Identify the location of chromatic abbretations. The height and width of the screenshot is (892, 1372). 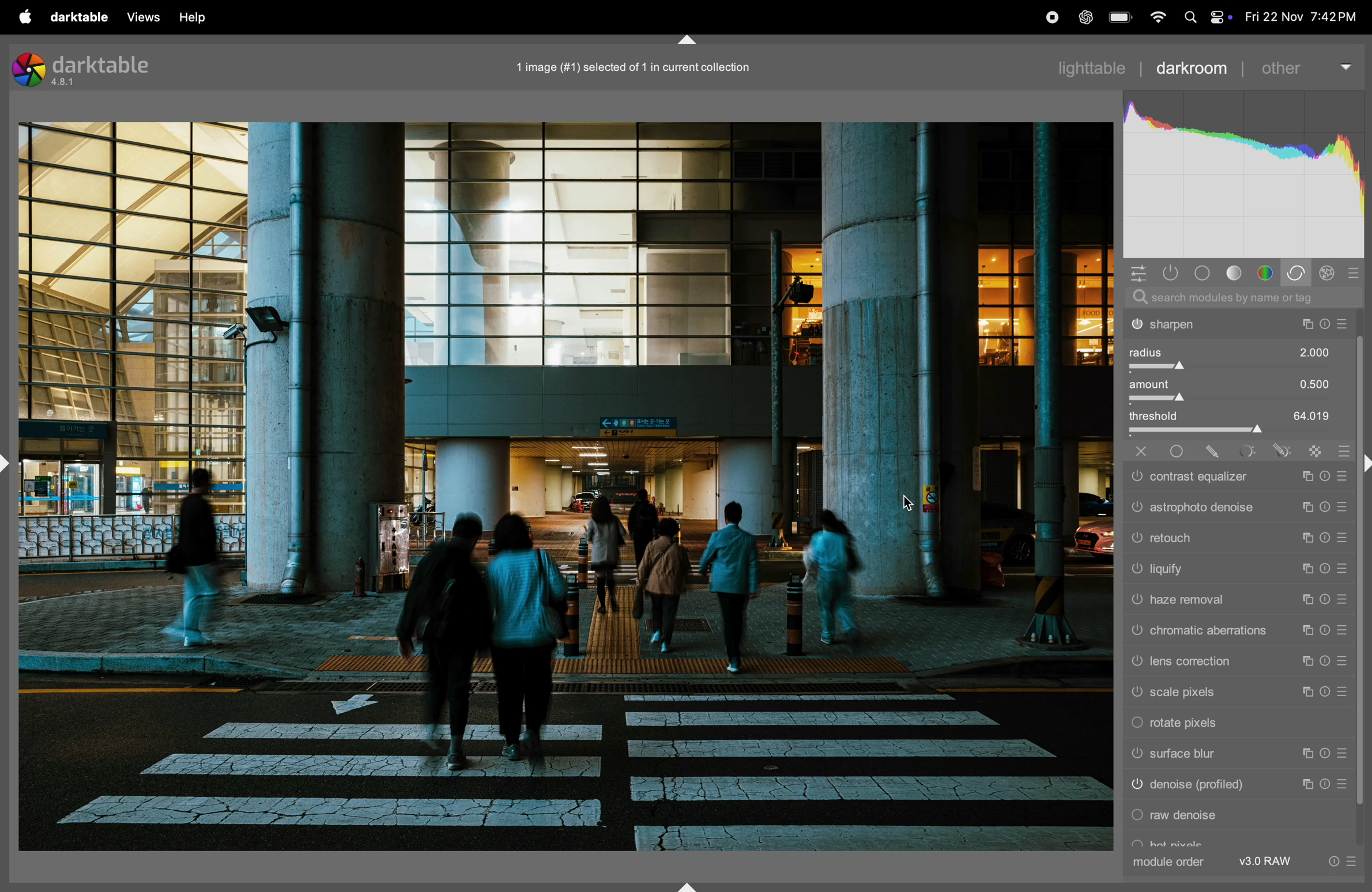
(1237, 632).